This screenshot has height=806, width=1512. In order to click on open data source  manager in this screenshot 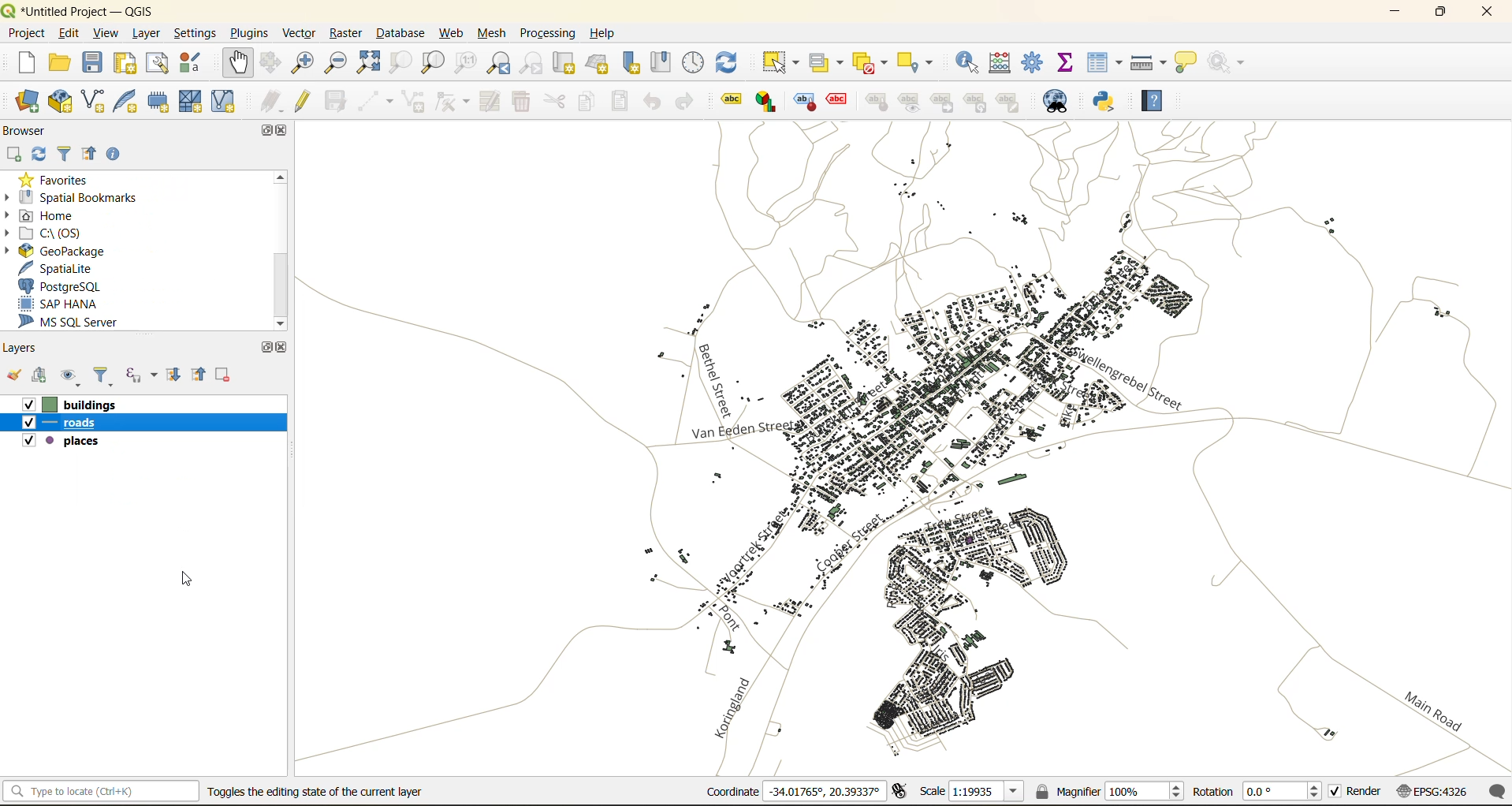, I will do `click(22, 101)`.